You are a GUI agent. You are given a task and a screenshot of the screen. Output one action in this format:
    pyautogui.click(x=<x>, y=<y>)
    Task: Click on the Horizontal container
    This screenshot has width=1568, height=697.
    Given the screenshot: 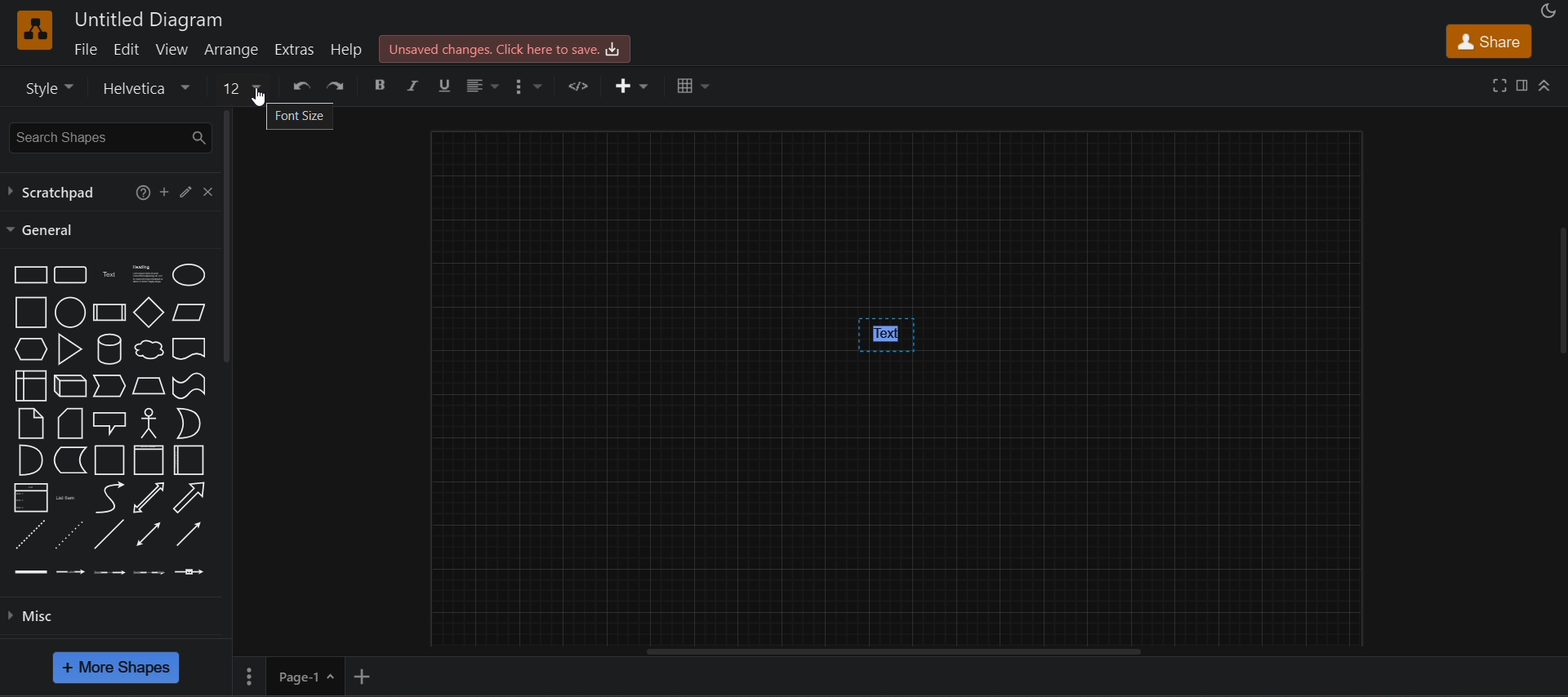 What is the action you would take?
    pyautogui.click(x=189, y=460)
    